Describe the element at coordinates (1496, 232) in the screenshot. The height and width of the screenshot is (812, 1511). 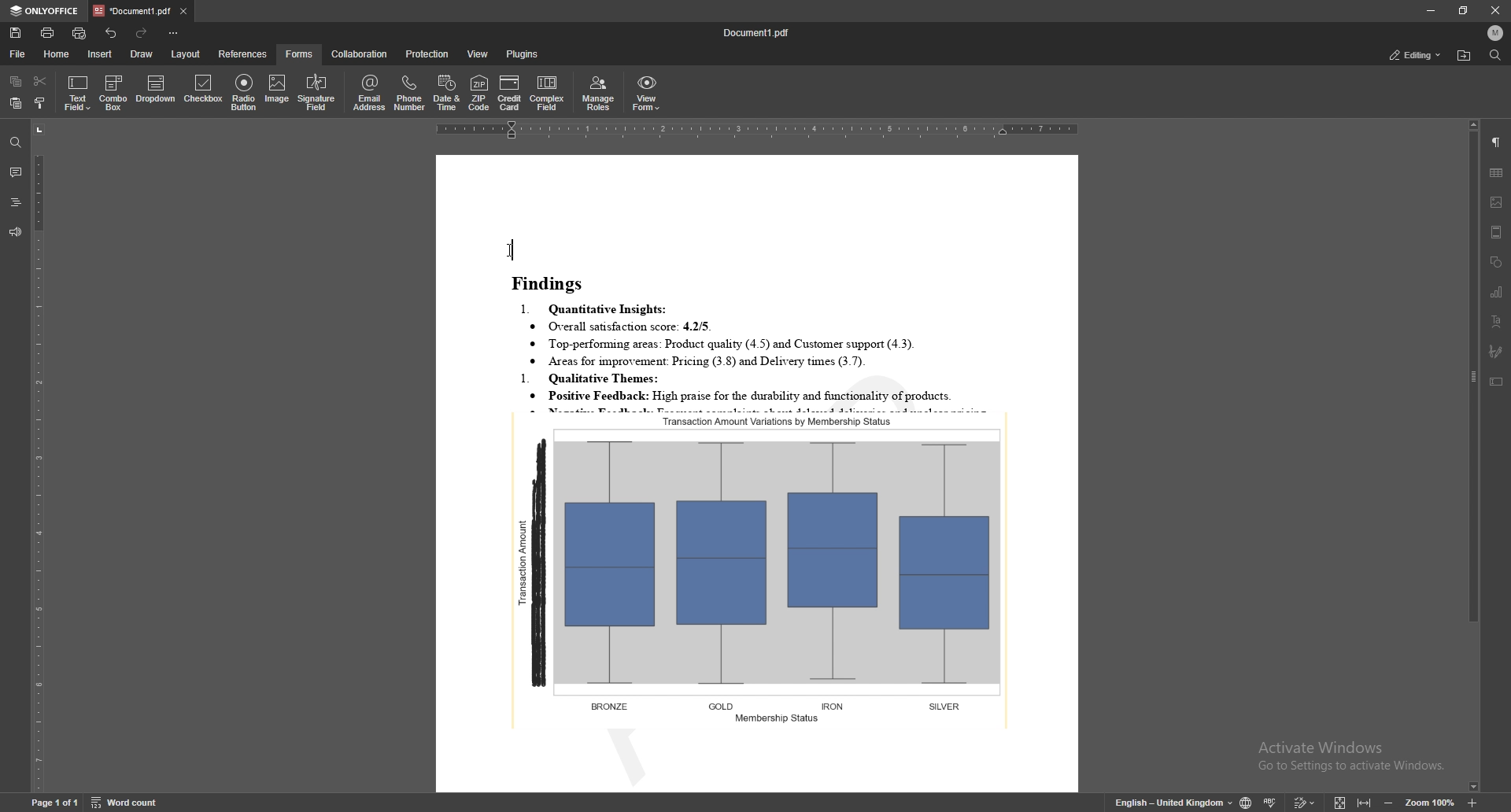
I see `header and footer` at that location.